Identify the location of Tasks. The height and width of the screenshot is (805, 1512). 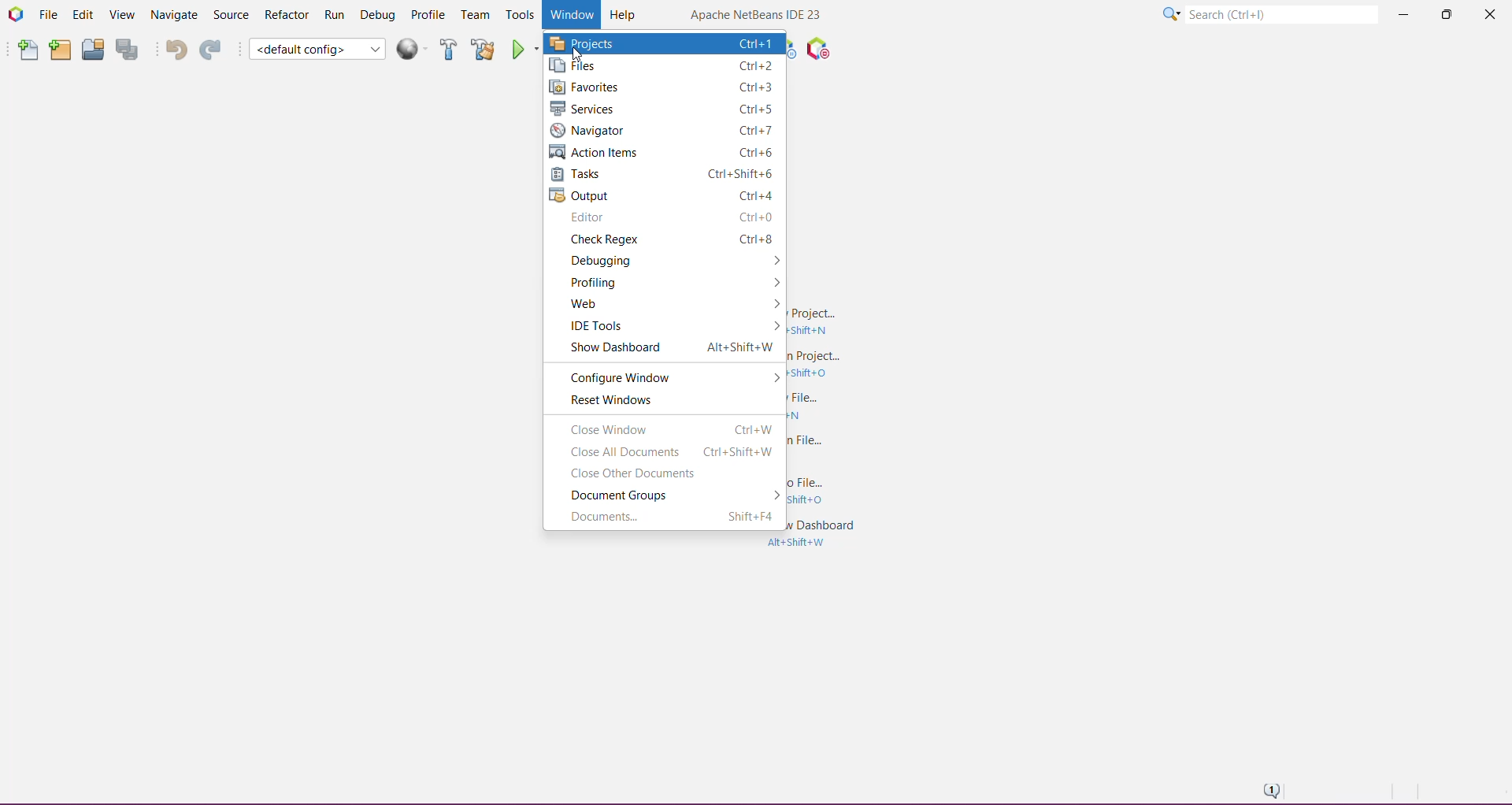
(663, 173).